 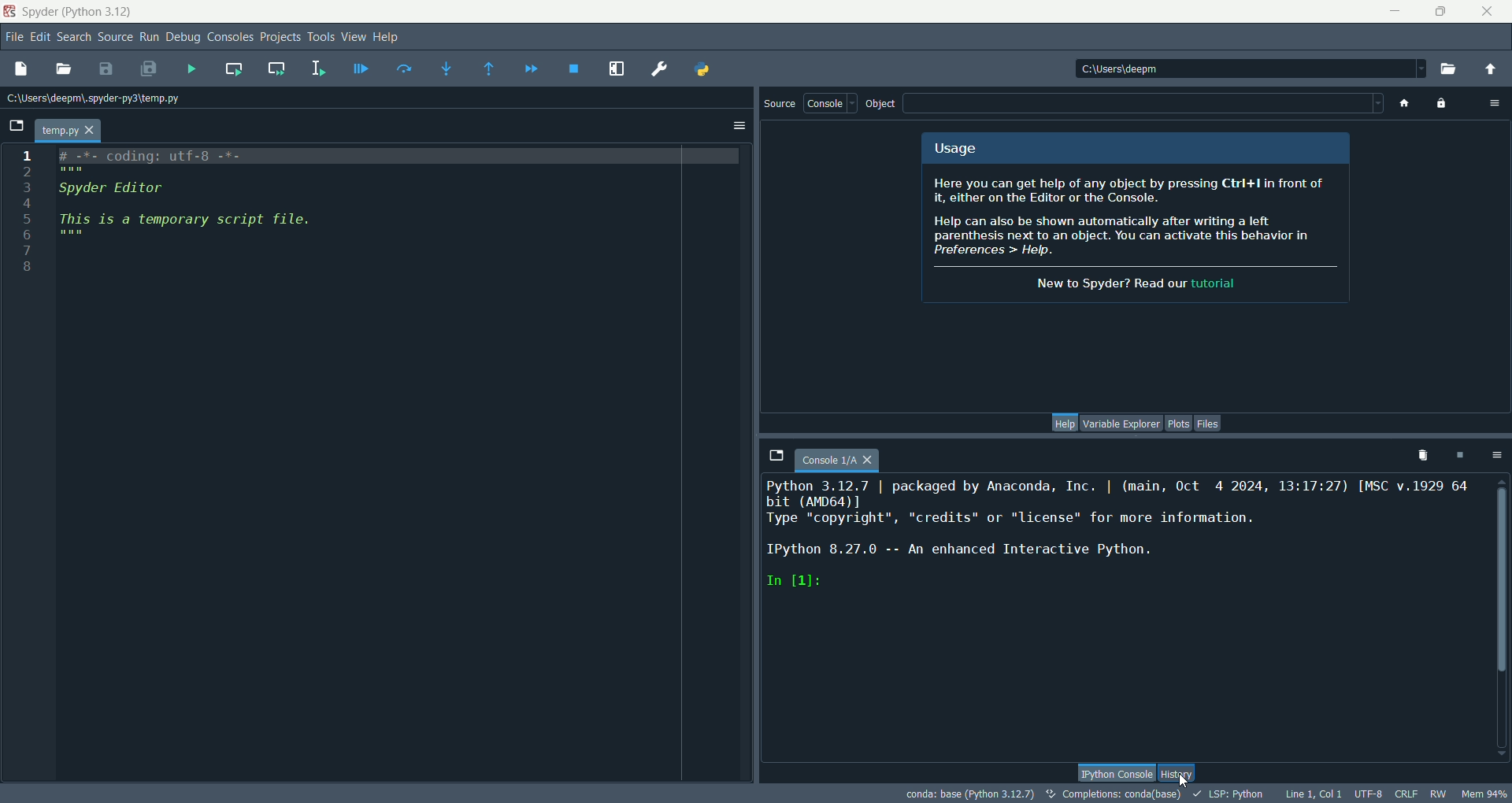 What do you see at coordinates (779, 103) in the screenshot?
I see `source` at bounding box center [779, 103].